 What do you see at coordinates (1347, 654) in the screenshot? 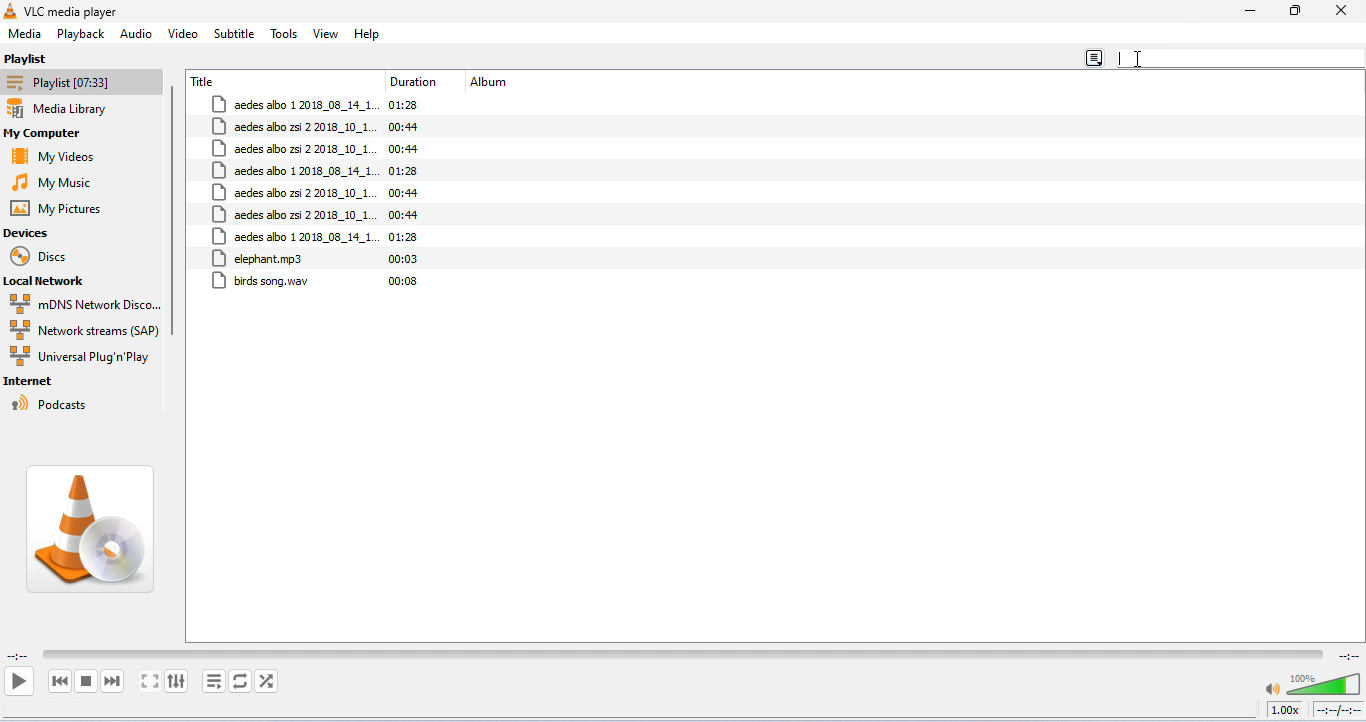
I see `remaining time` at bounding box center [1347, 654].